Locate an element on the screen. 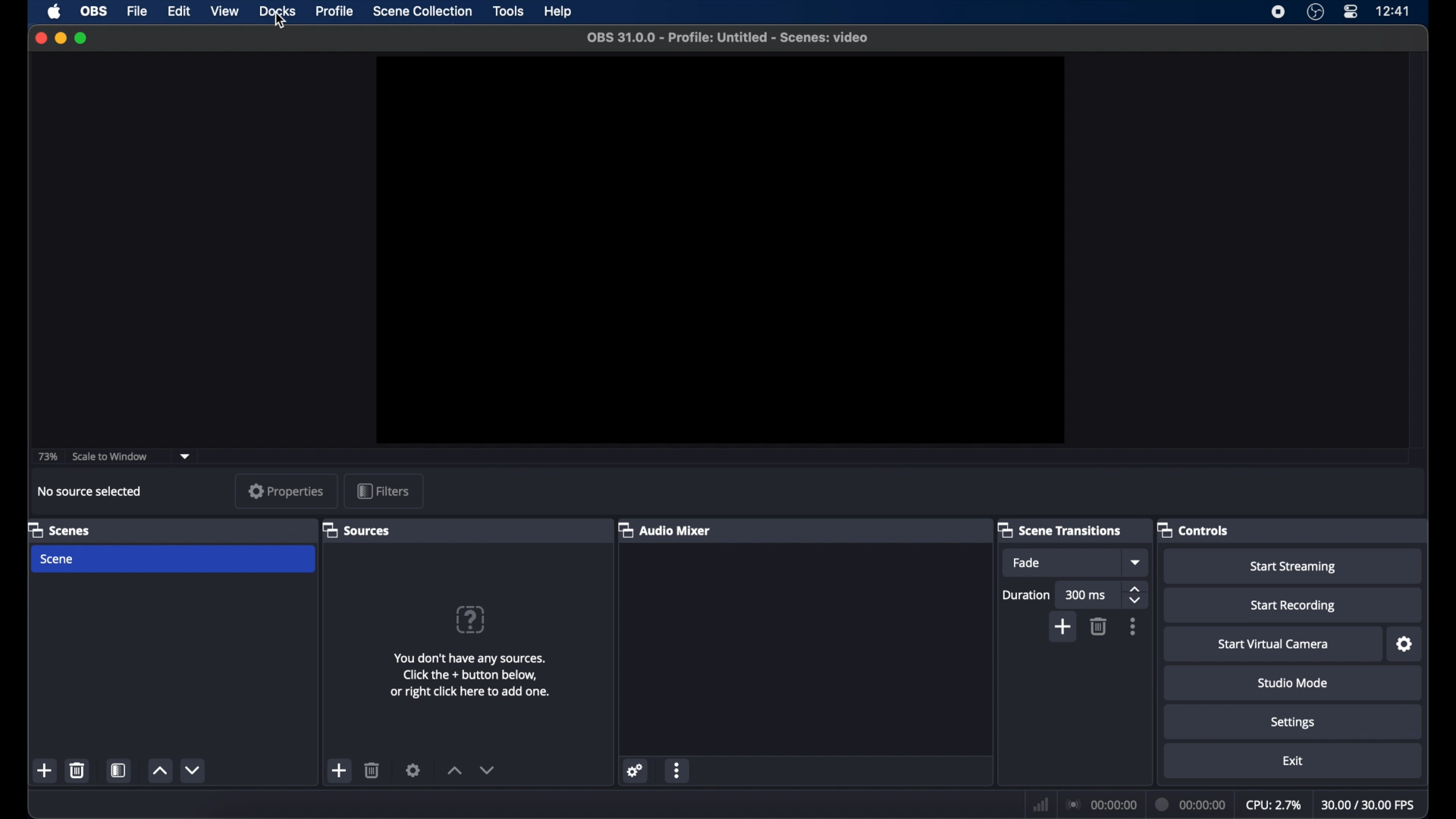 This screenshot has height=819, width=1456. 12:41 is located at coordinates (1394, 11).